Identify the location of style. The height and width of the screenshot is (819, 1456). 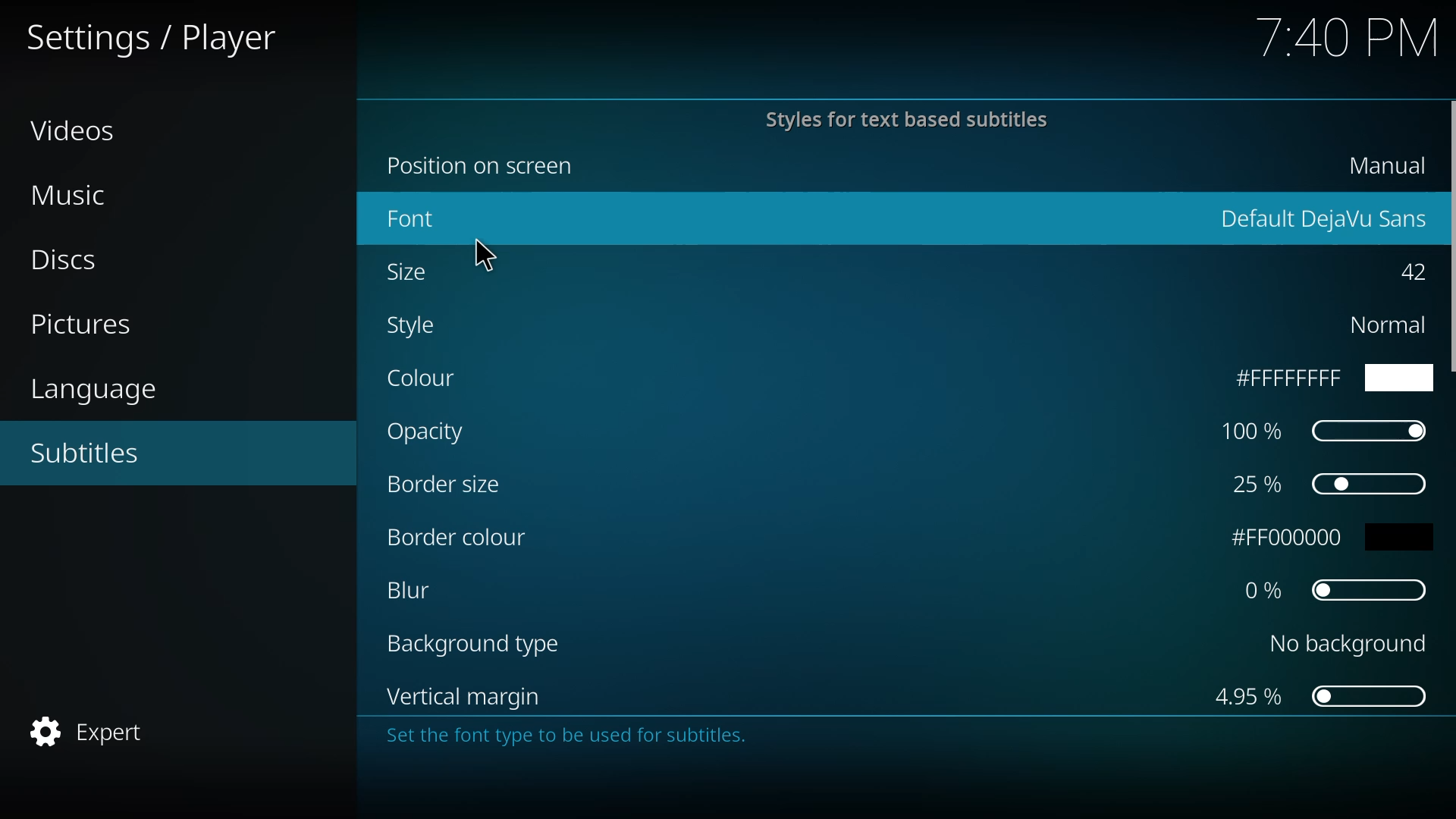
(417, 325).